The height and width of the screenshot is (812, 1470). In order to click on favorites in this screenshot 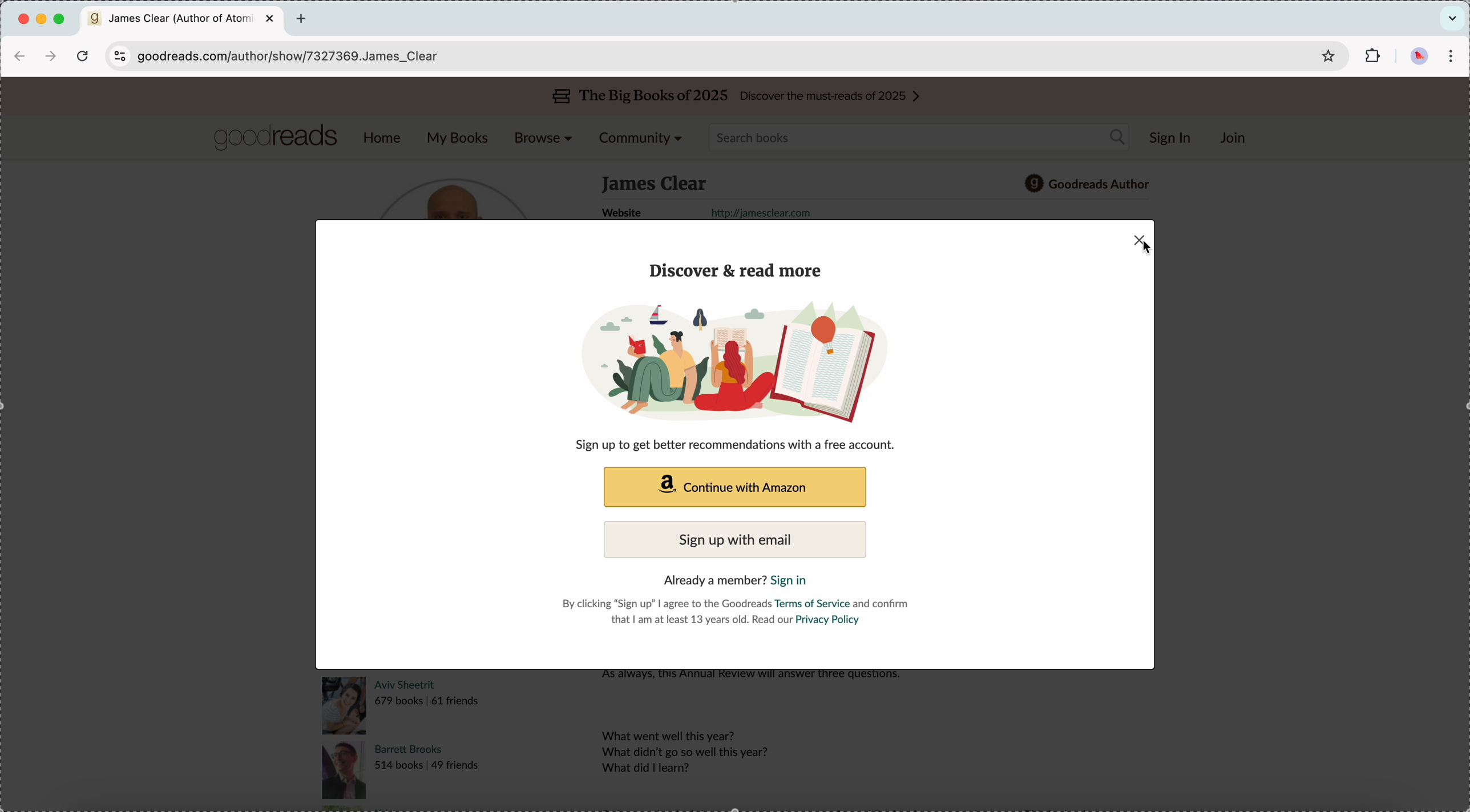, I will do `click(1328, 55)`.